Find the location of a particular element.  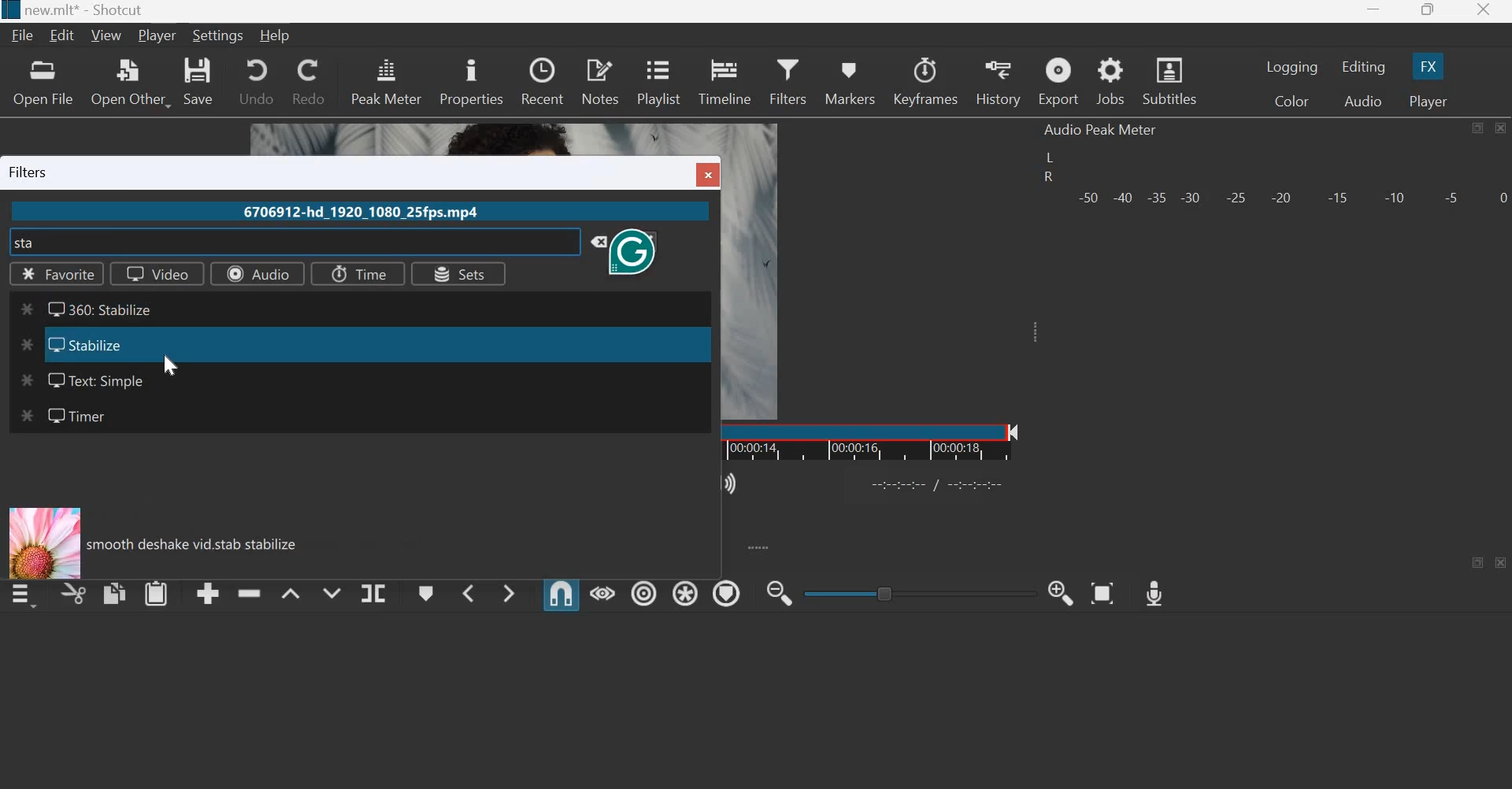

Open other is located at coordinates (132, 82).